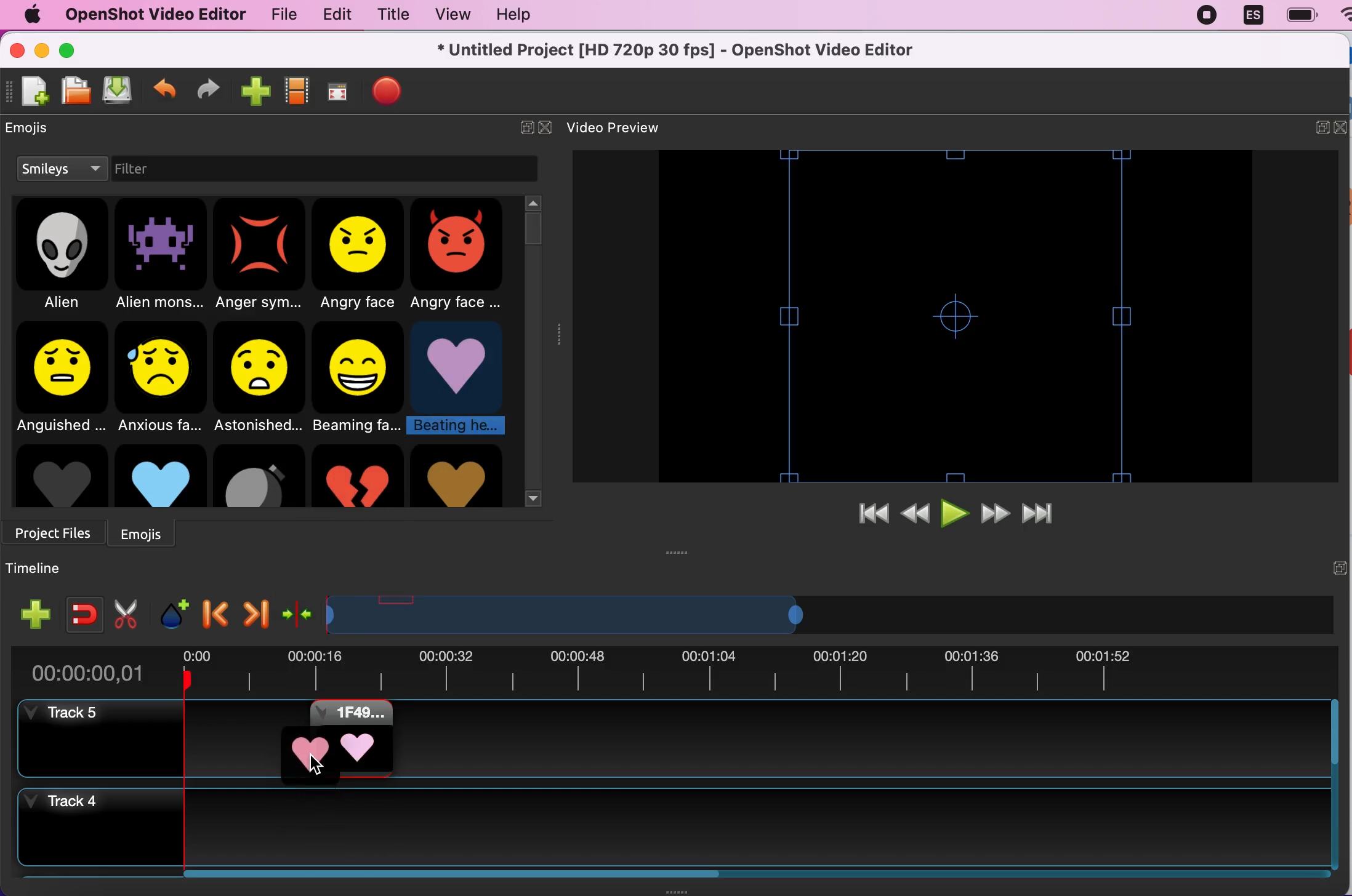 The height and width of the screenshot is (896, 1352). What do you see at coordinates (956, 511) in the screenshot?
I see `play` at bounding box center [956, 511].